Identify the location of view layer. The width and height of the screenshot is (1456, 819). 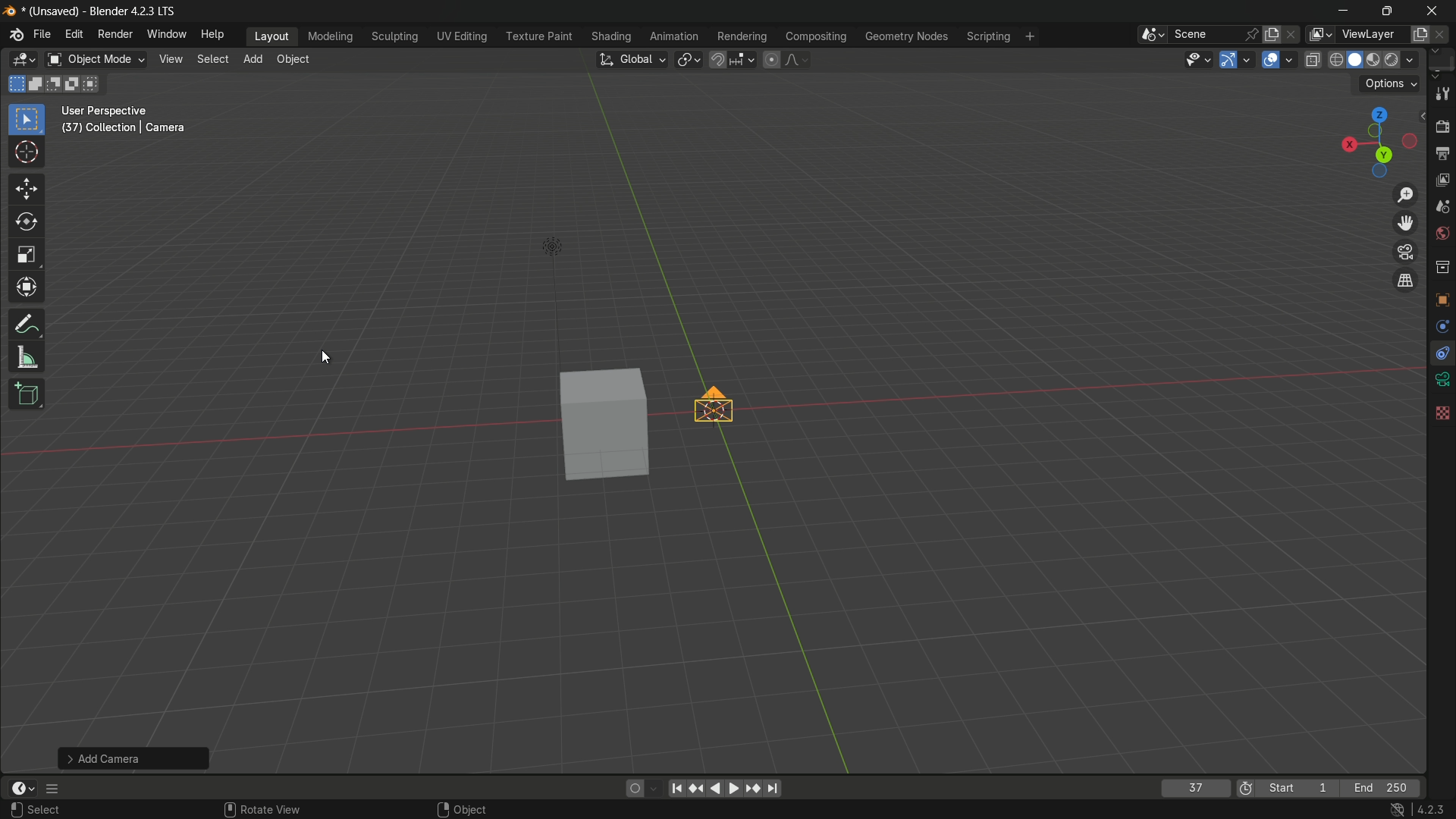
(1321, 35).